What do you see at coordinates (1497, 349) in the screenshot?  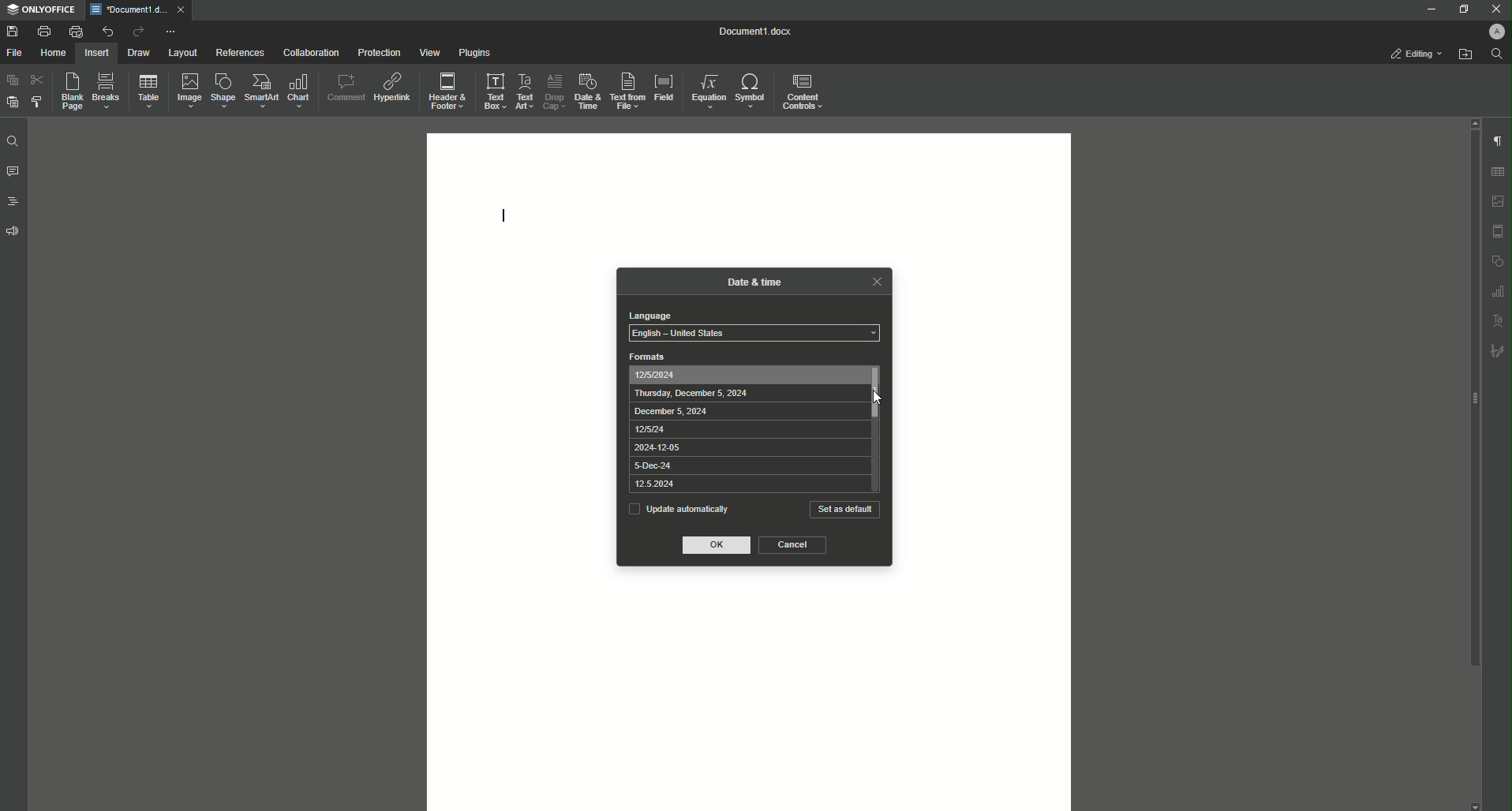 I see `signature settings` at bounding box center [1497, 349].